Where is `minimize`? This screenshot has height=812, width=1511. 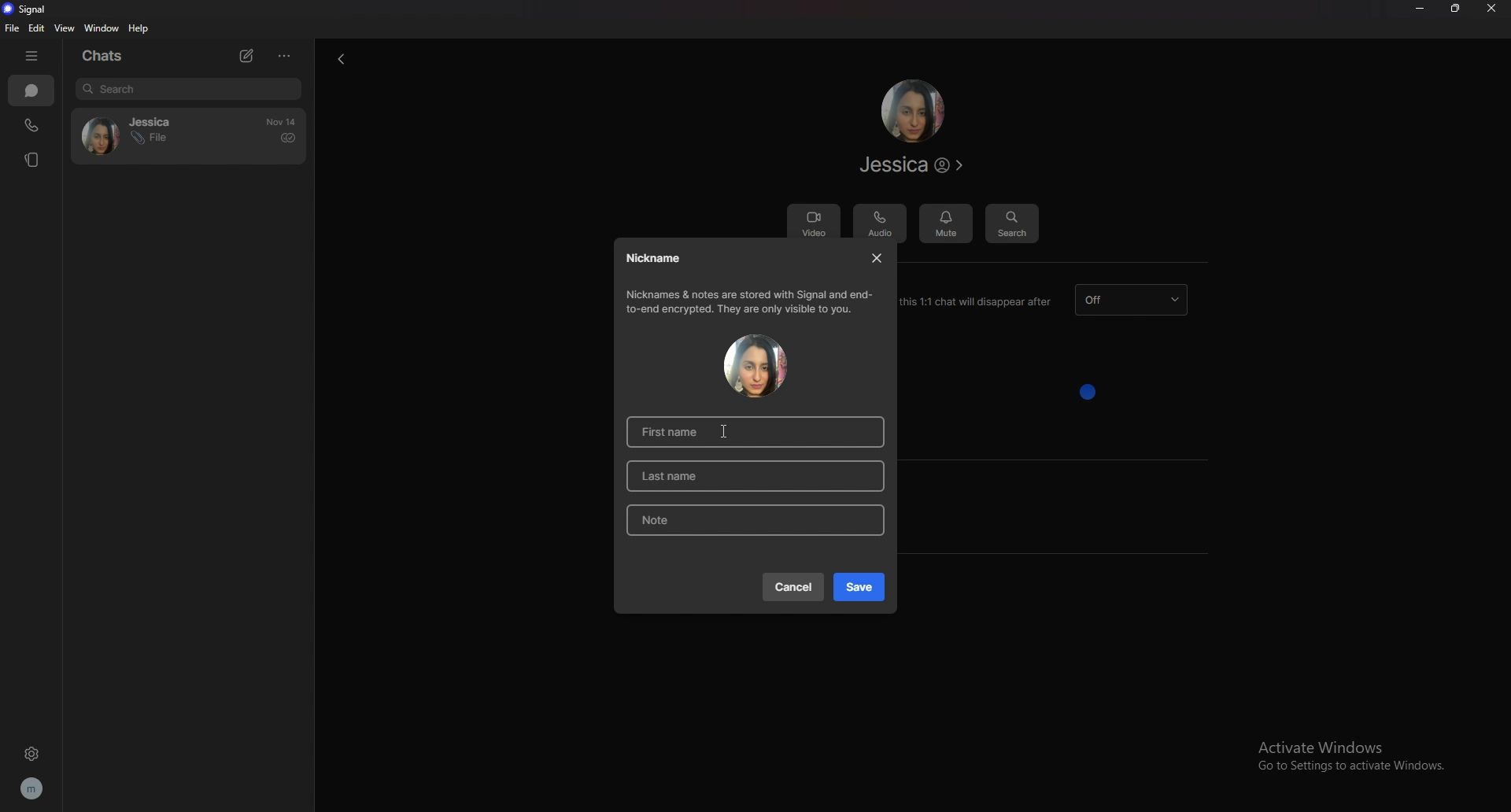
minimize is located at coordinates (1419, 9).